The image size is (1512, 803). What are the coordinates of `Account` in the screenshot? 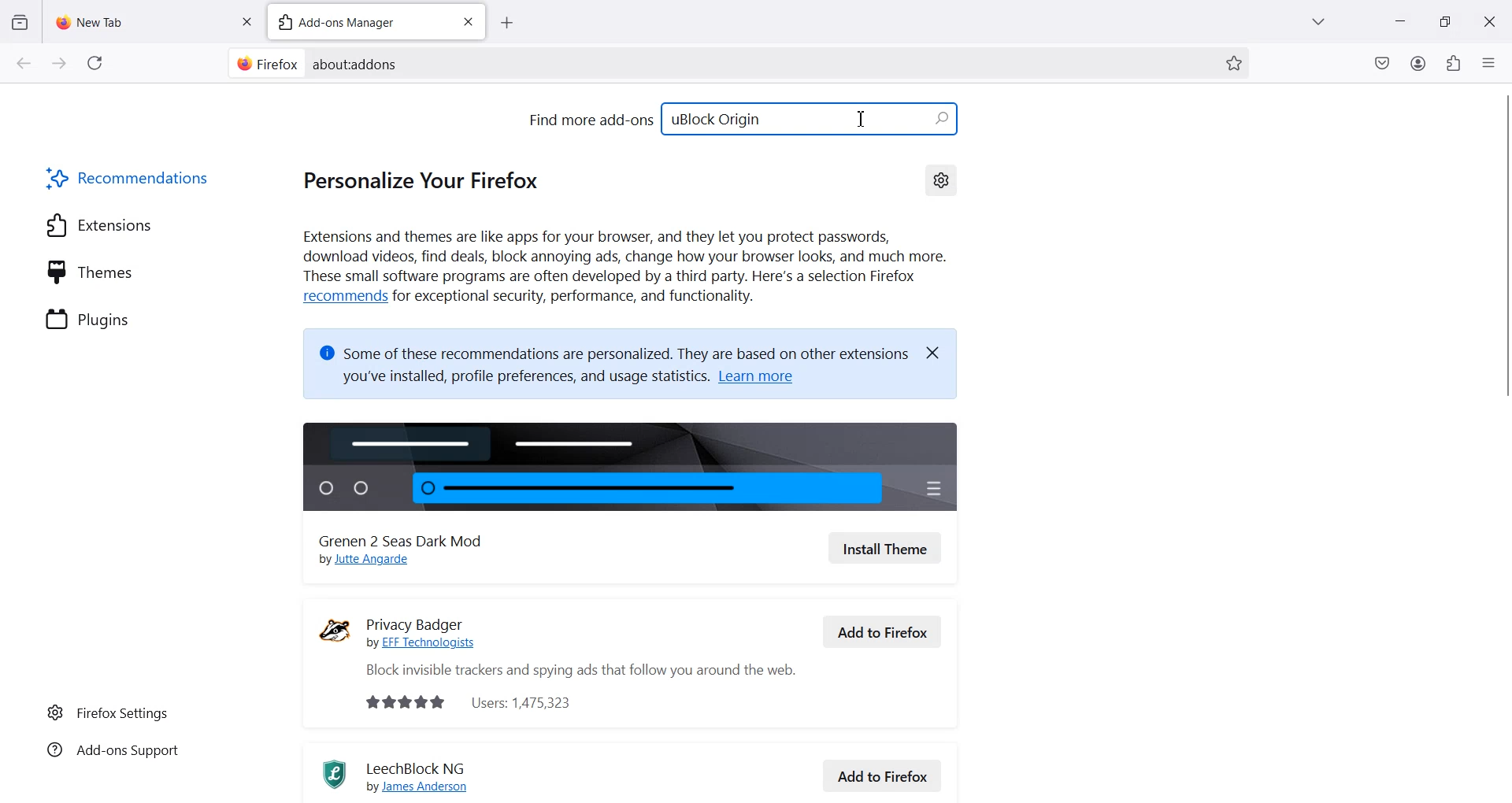 It's located at (1419, 63).